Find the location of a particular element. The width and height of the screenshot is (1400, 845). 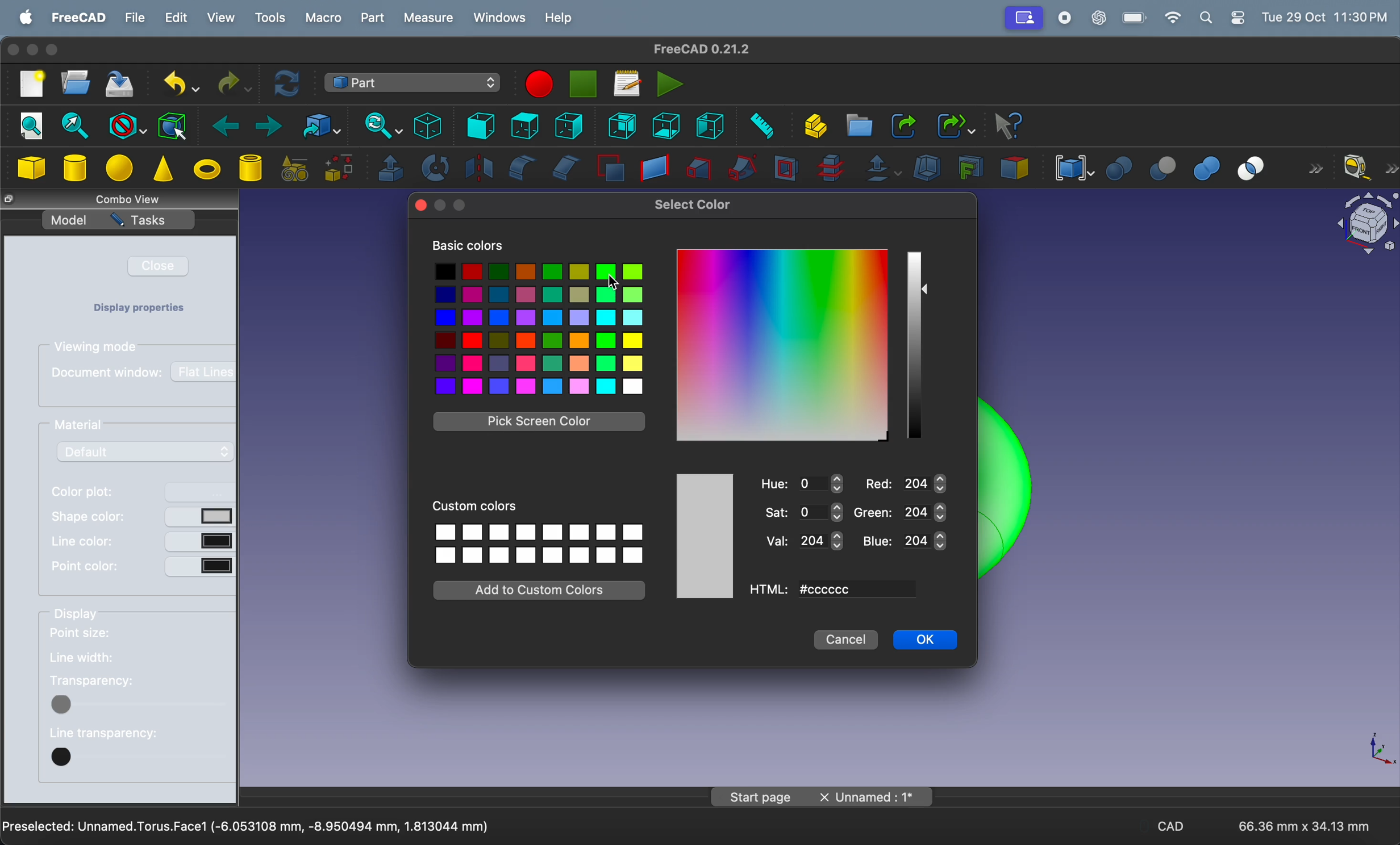

chamfer is located at coordinates (566, 168).